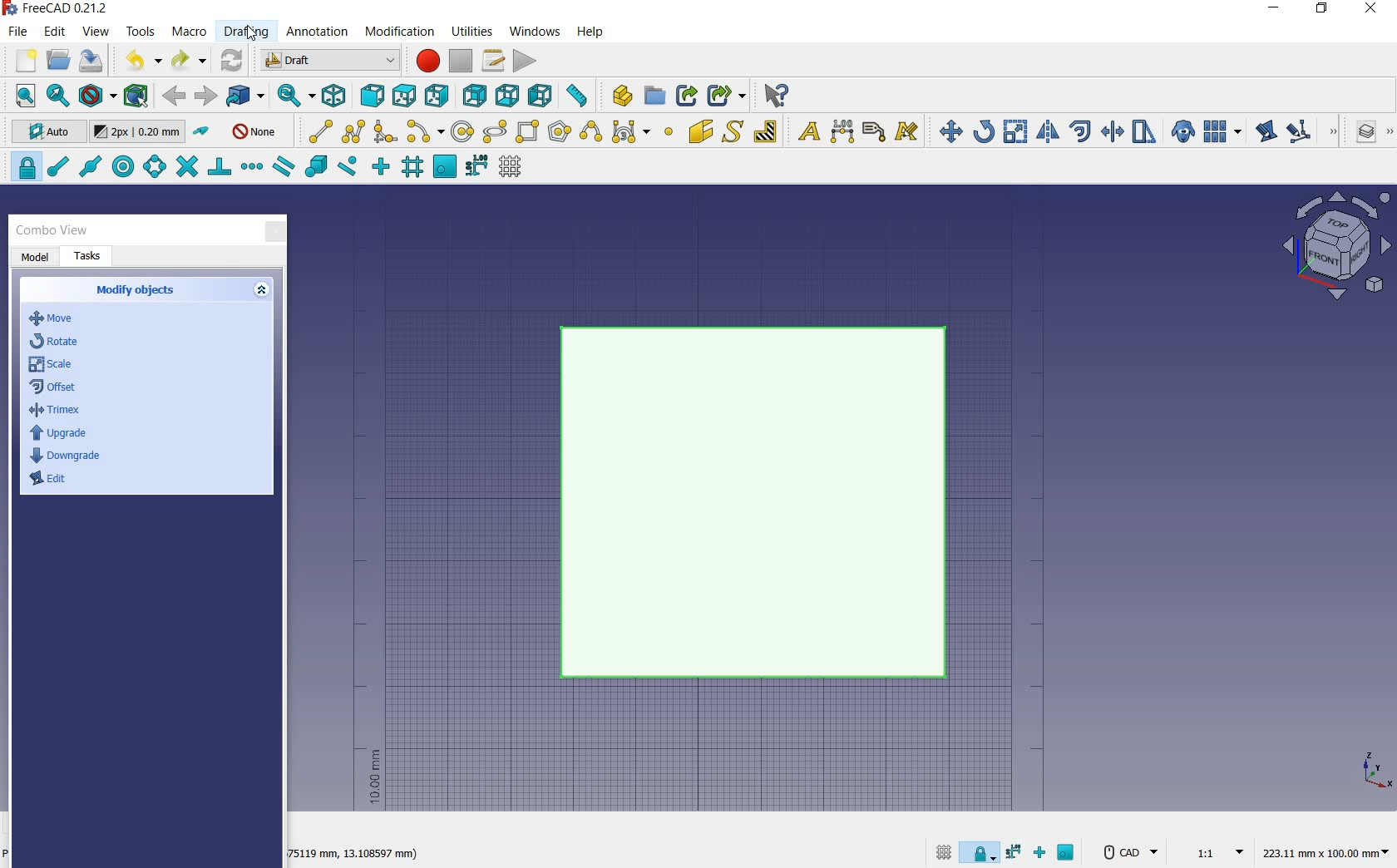 This screenshot has height=868, width=1397. I want to click on snap perpendicullar, so click(219, 166).